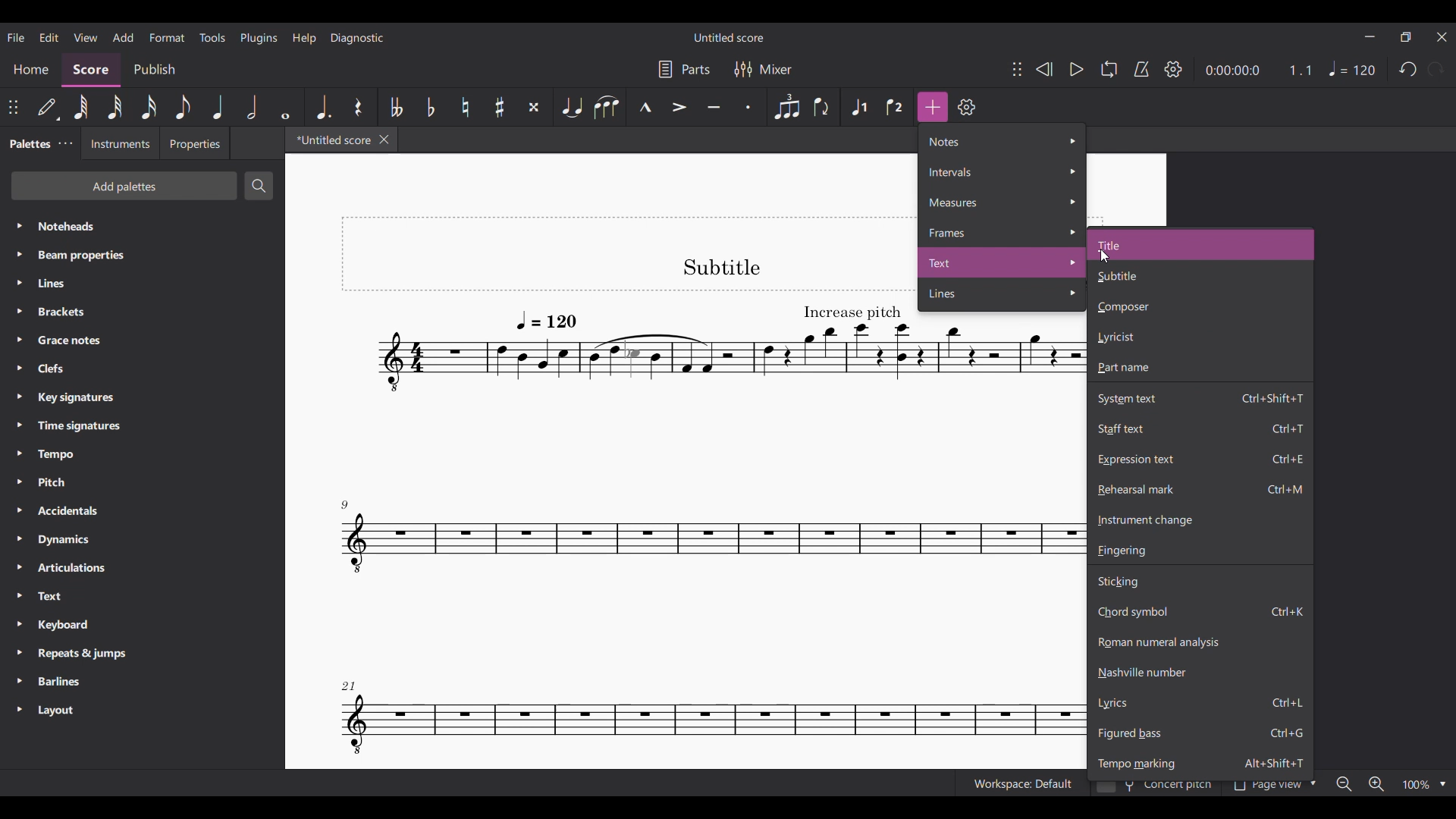 The width and height of the screenshot is (1456, 819). I want to click on Beam properties, so click(142, 255).